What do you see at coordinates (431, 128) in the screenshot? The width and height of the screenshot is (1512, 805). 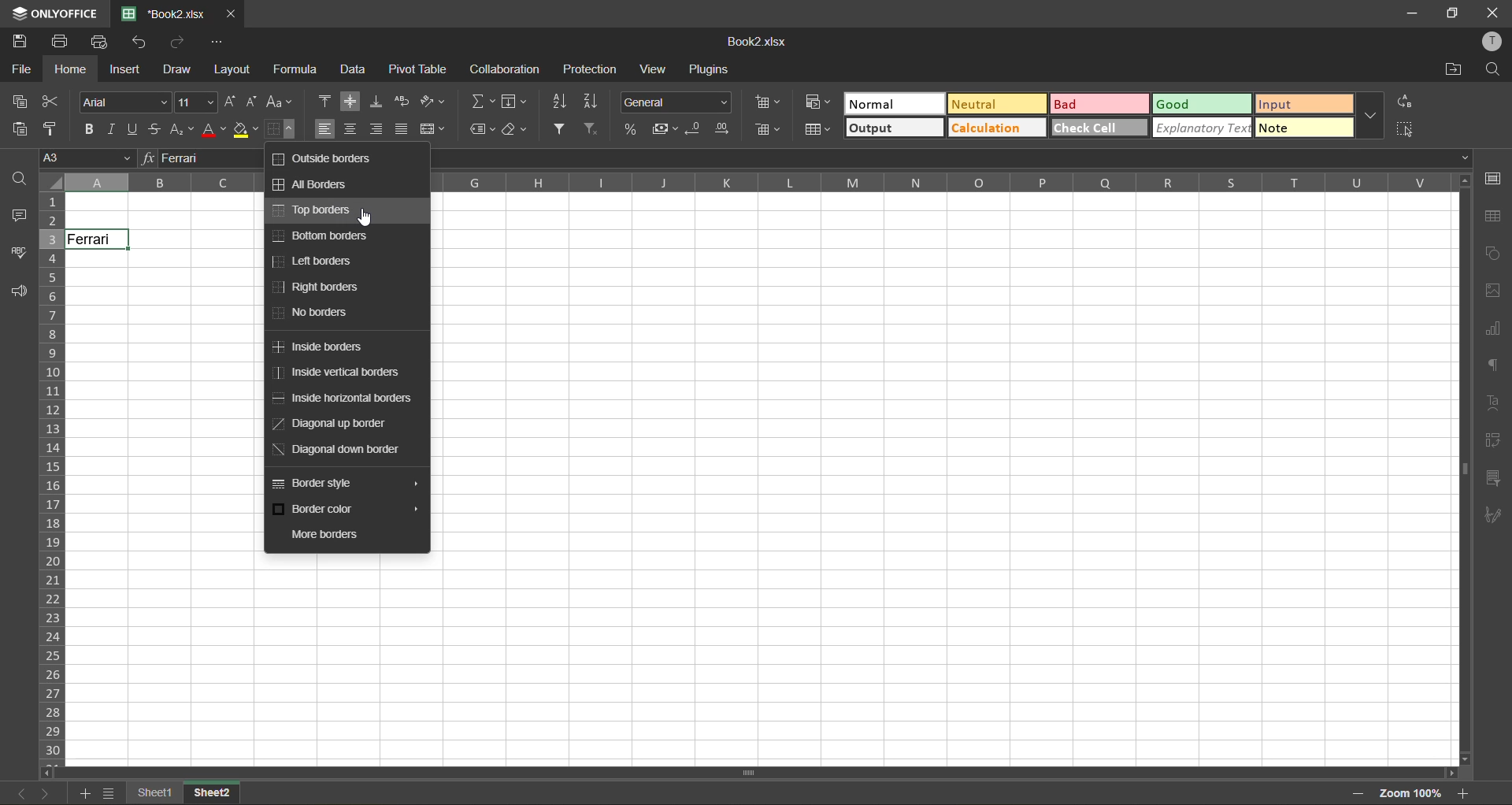 I see `merge and center` at bounding box center [431, 128].